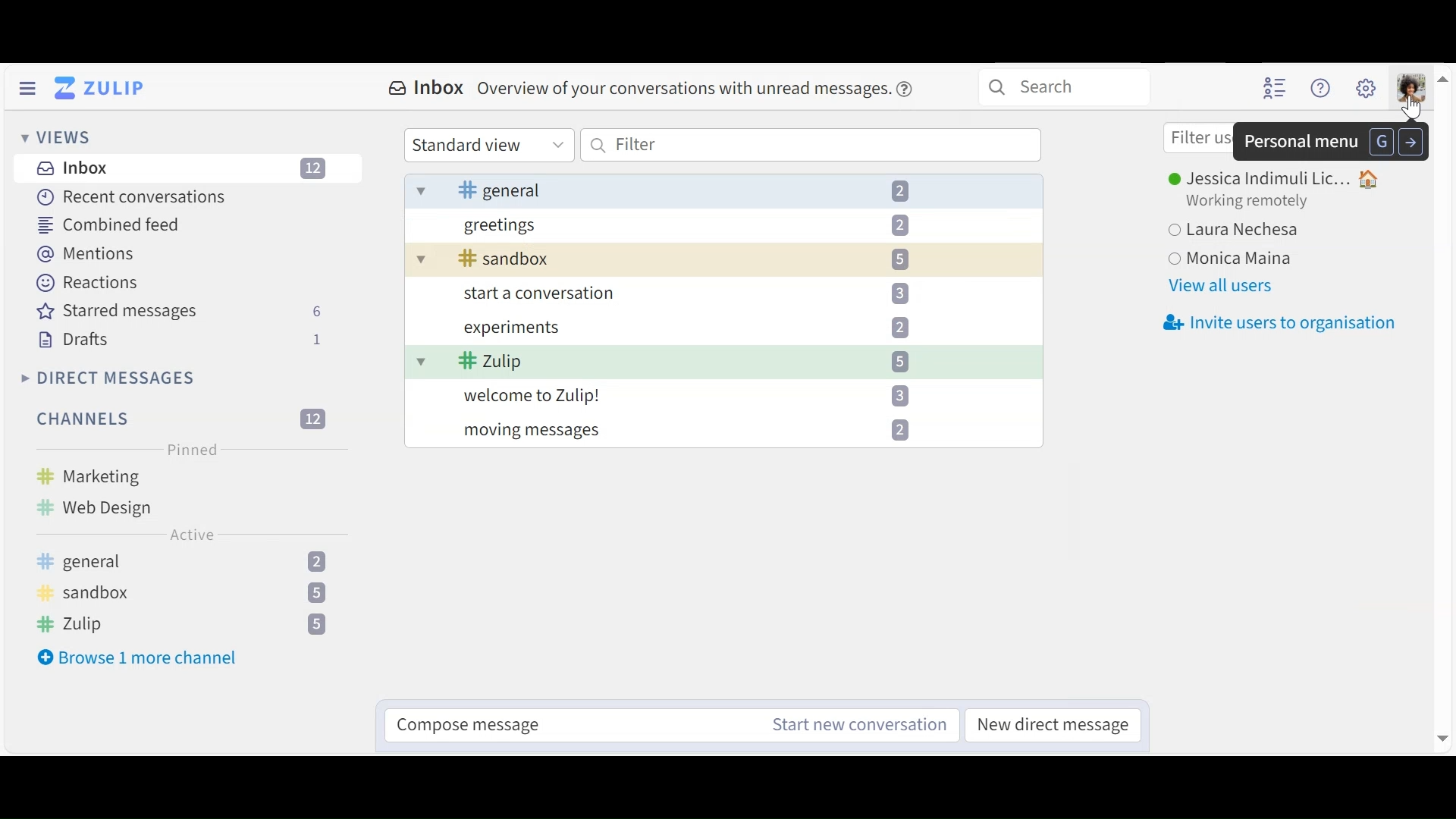  I want to click on # sandbox, so click(494, 260).